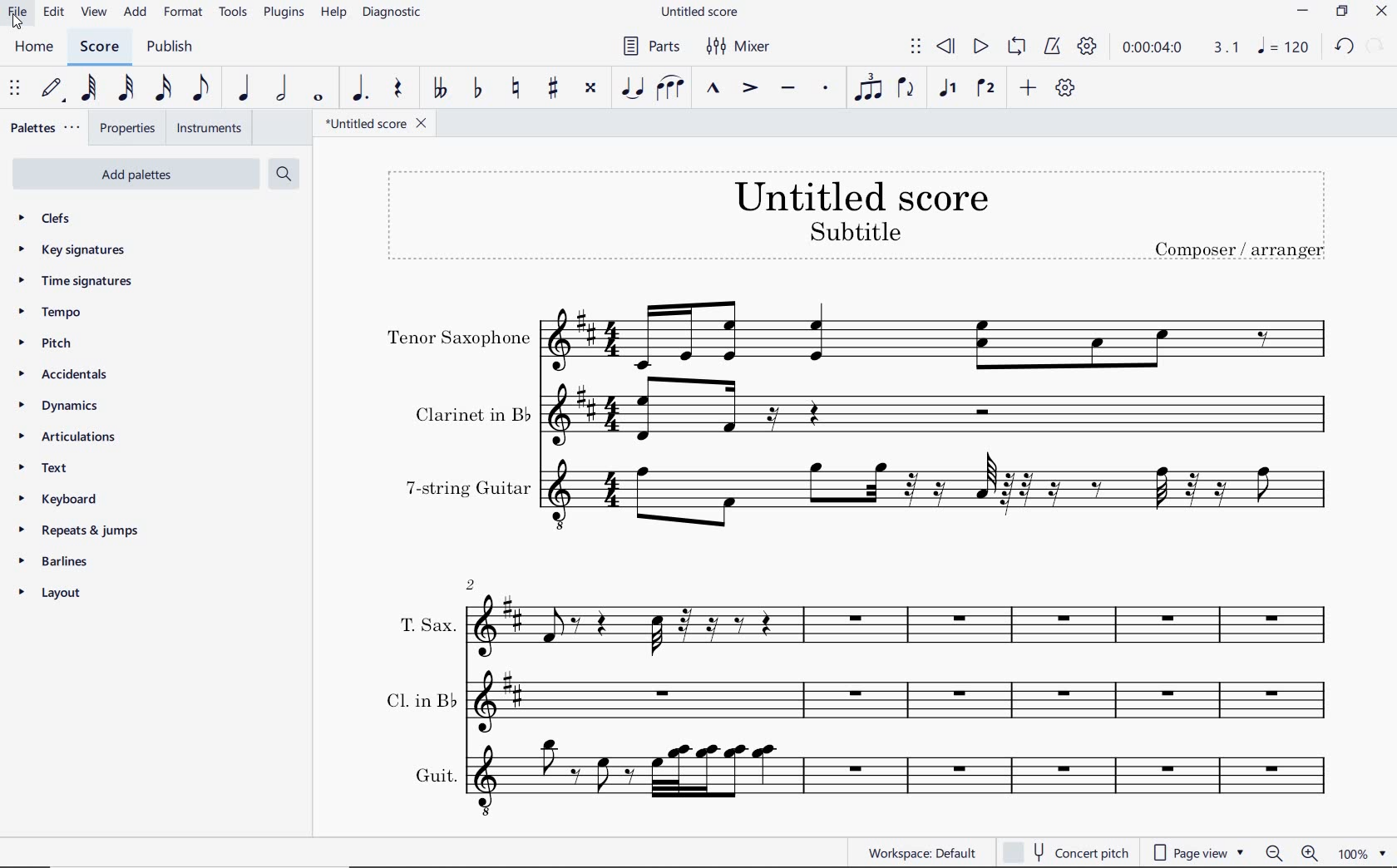 Image resolution: width=1397 pixels, height=868 pixels. I want to click on zoom factor, so click(1360, 851).